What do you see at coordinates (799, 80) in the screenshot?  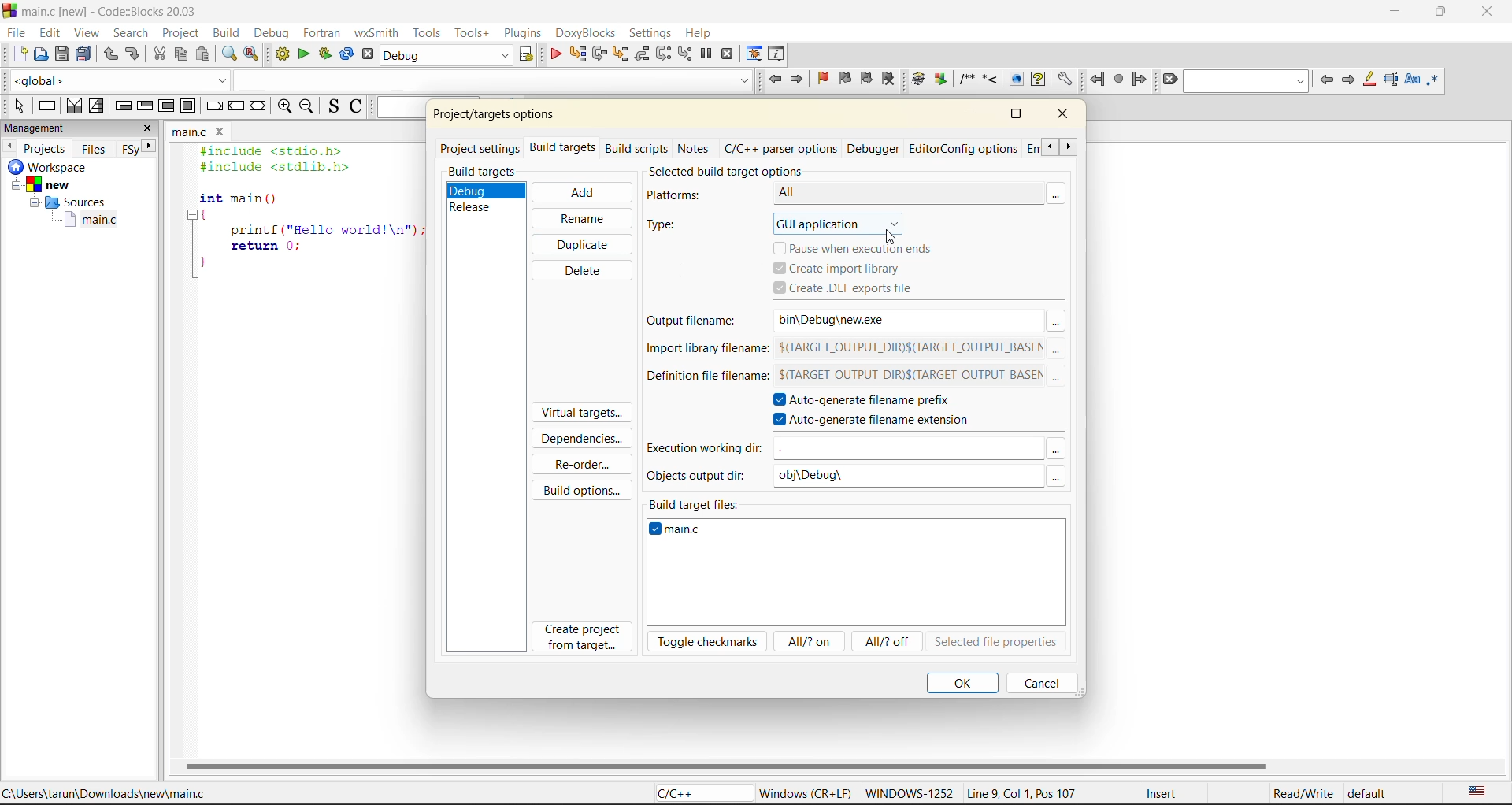 I see `jump forward` at bounding box center [799, 80].